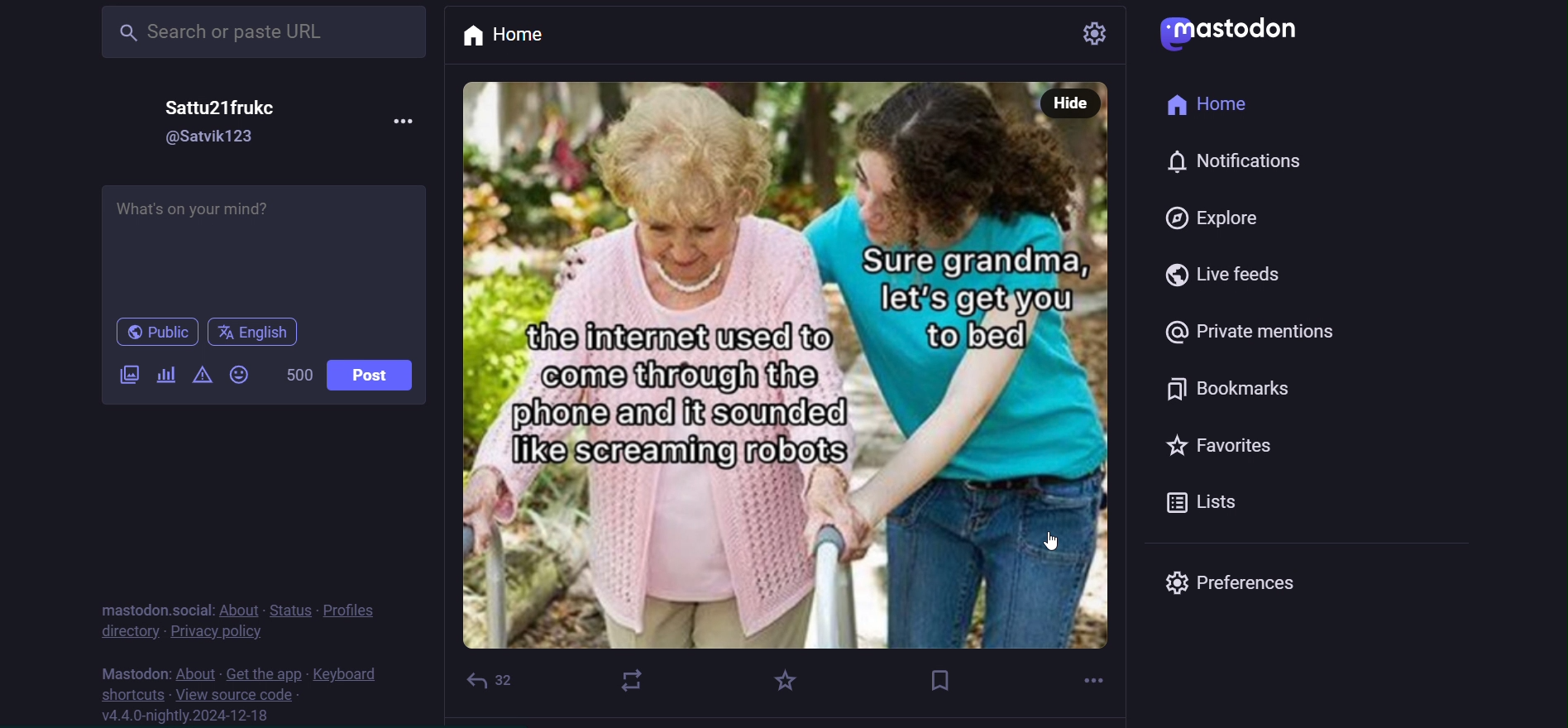  What do you see at coordinates (237, 697) in the screenshot?
I see `source code` at bounding box center [237, 697].